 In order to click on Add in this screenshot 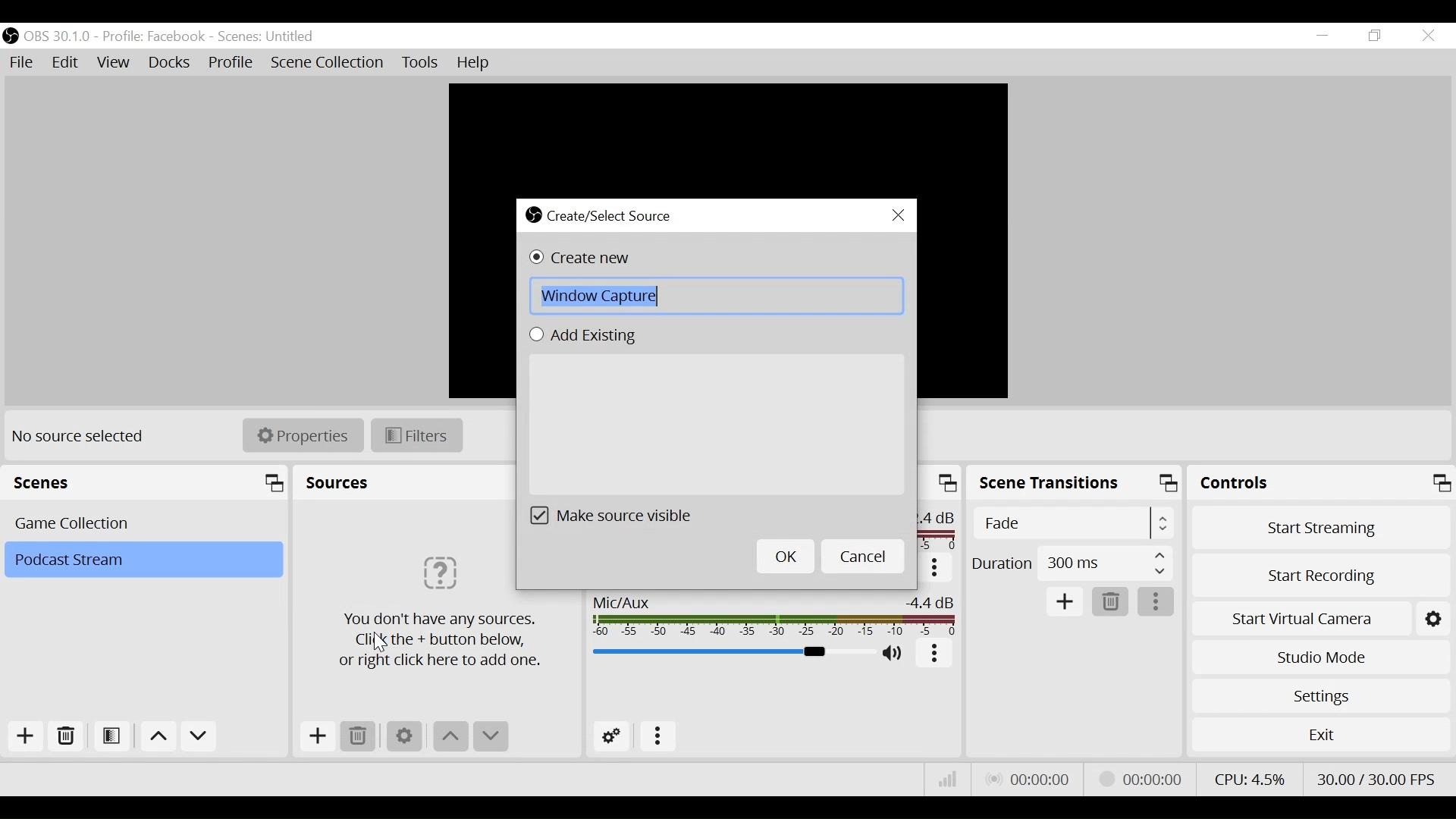, I will do `click(24, 736)`.